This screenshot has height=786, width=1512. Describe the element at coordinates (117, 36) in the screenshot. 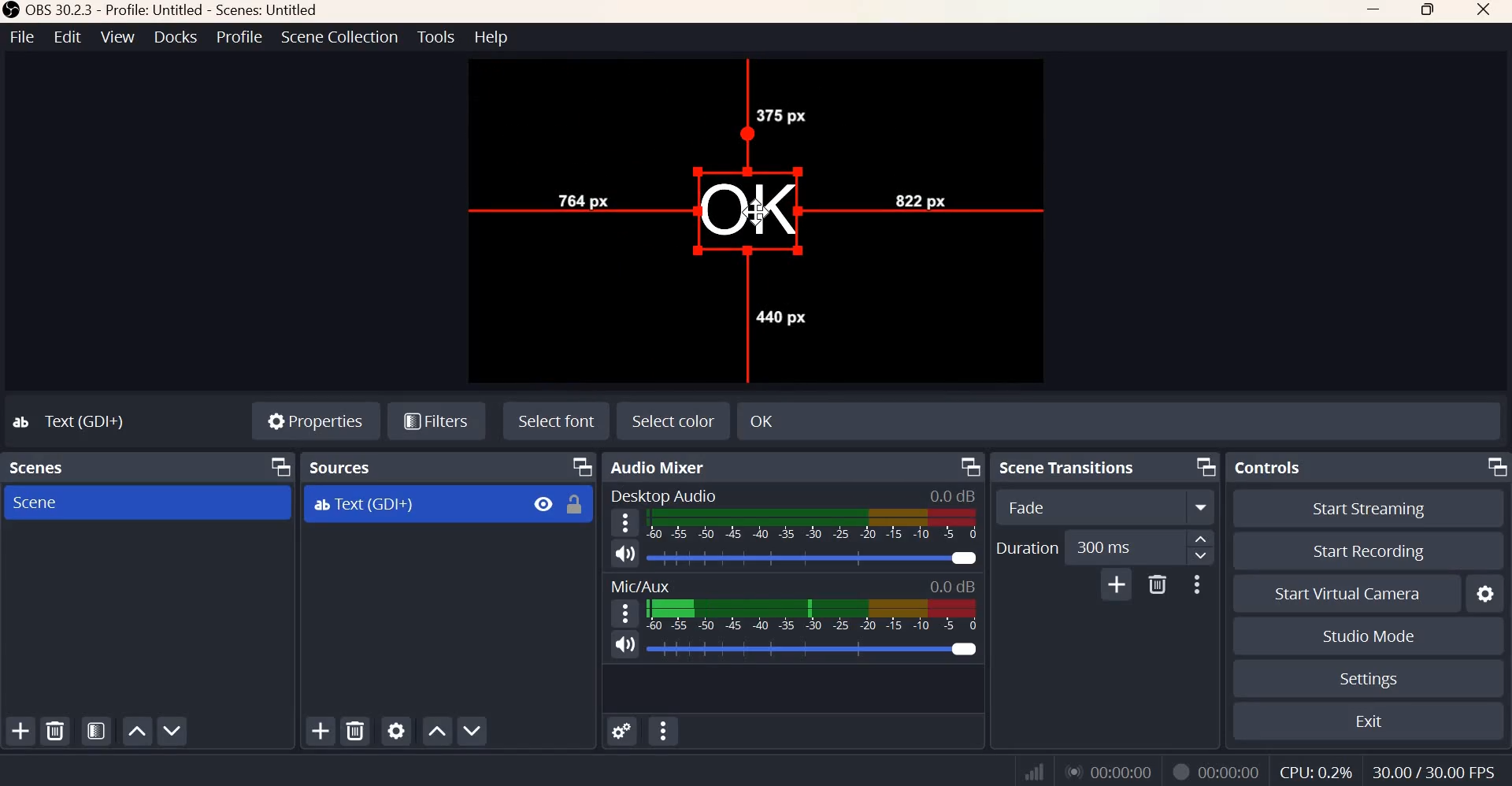

I see `View` at that location.